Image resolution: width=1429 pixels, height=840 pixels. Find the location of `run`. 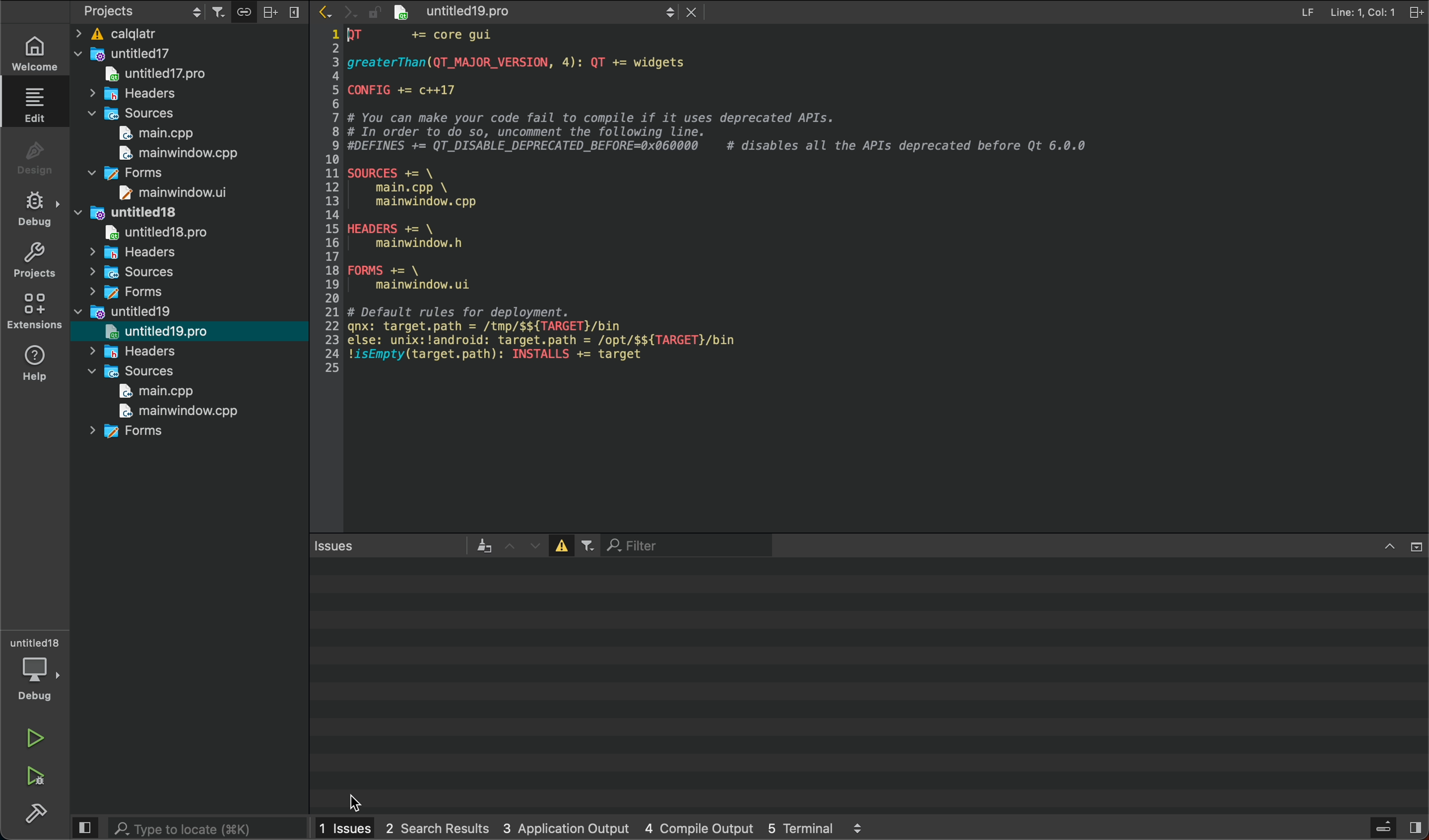

run is located at coordinates (35, 737).